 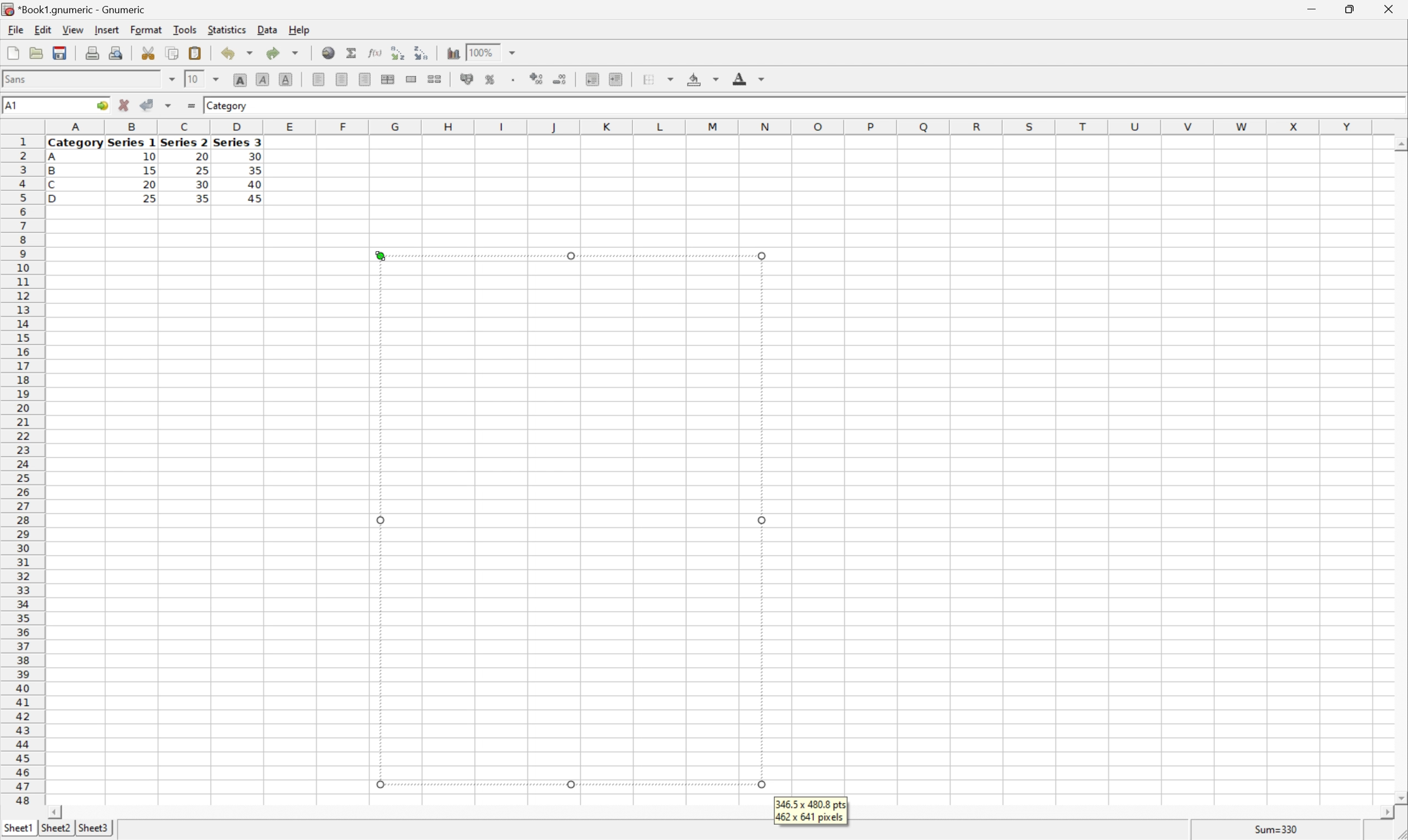 I want to click on Help, so click(x=300, y=31).